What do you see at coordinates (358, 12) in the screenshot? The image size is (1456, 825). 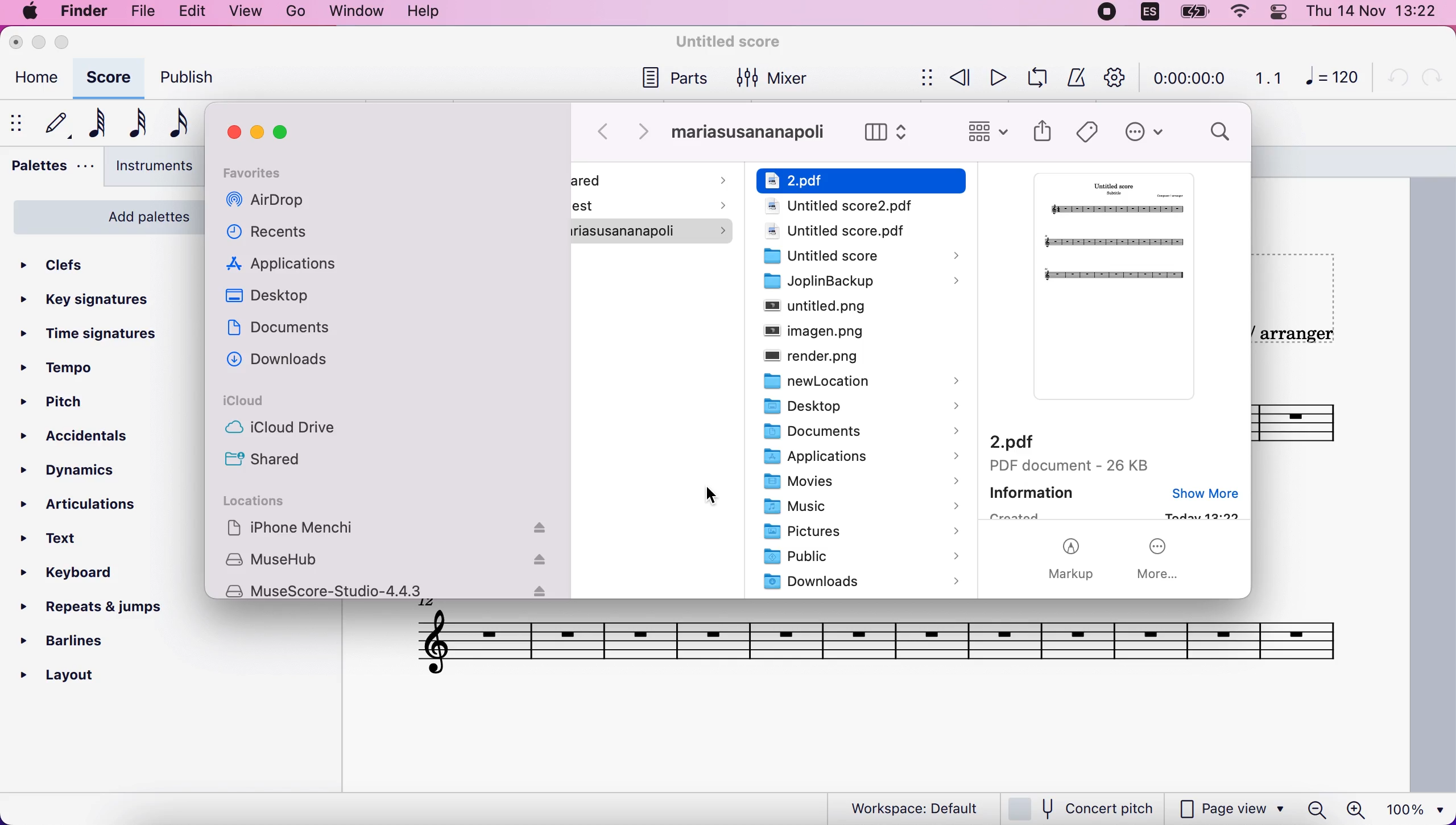 I see `format` at bounding box center [358, 12].